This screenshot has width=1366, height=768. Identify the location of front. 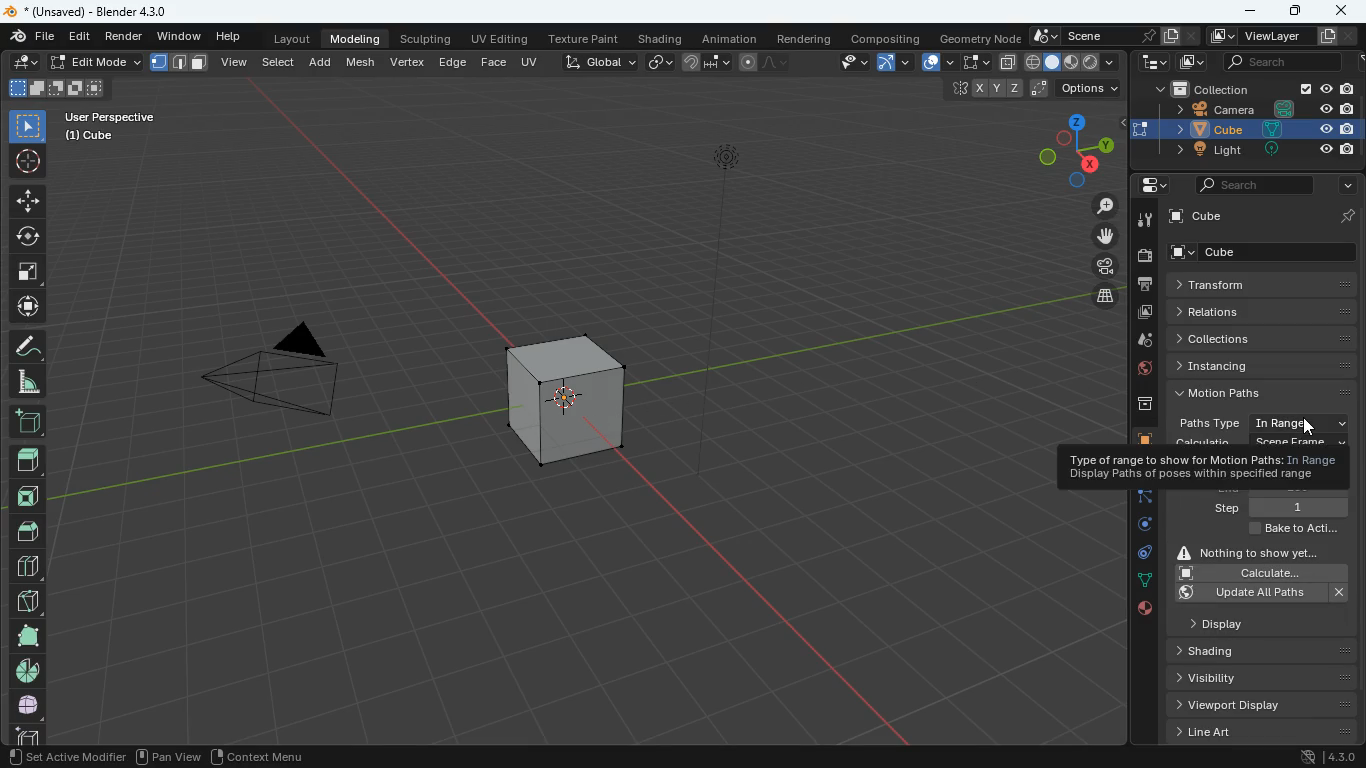
(31, 492).